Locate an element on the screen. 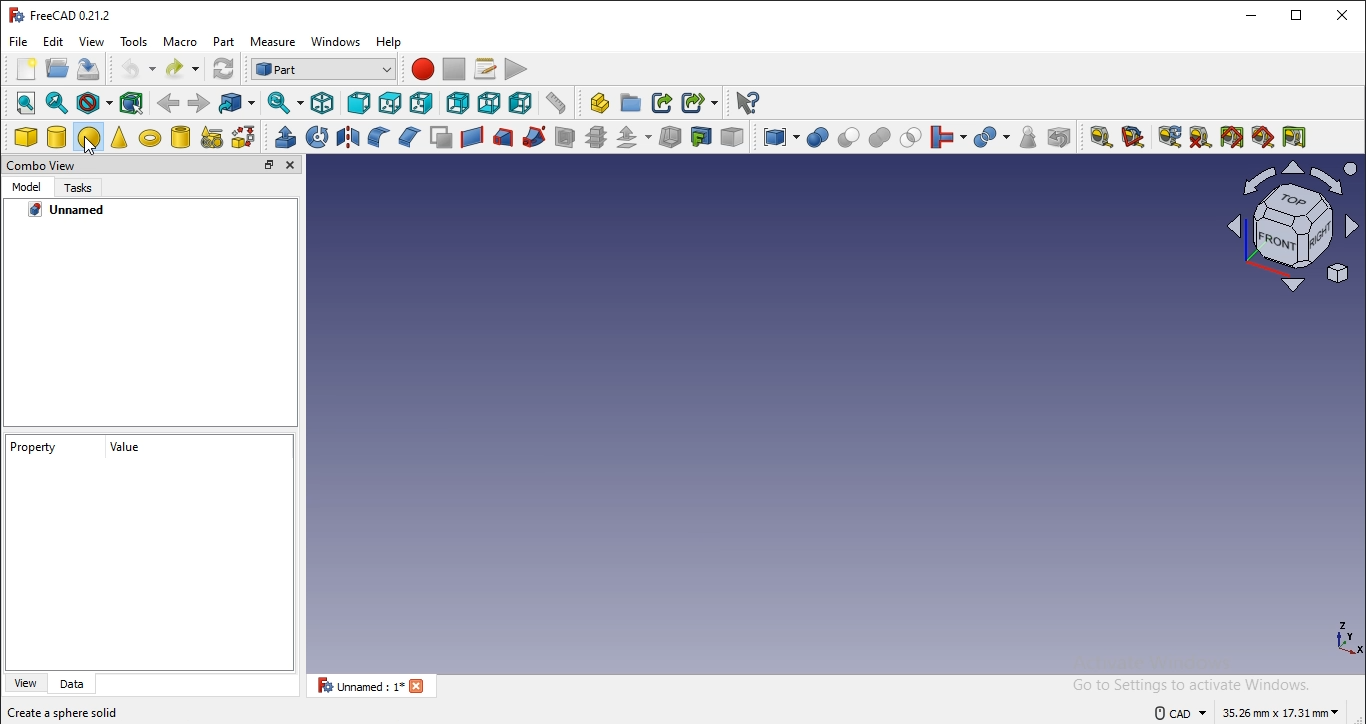 This screenshot has width=1366, height=724. go to linked object is located at coordinates (236, 103).